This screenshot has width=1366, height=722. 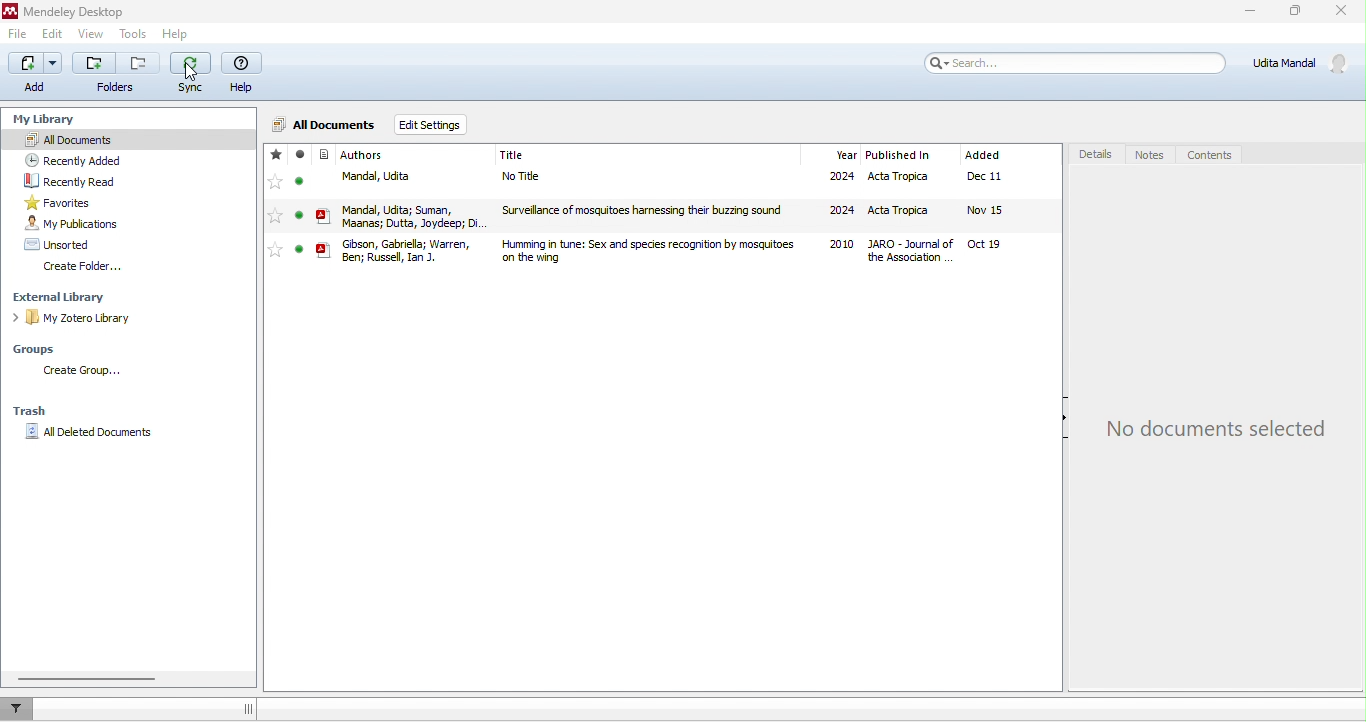 I want to click on folders, so click(x=114, y=75).